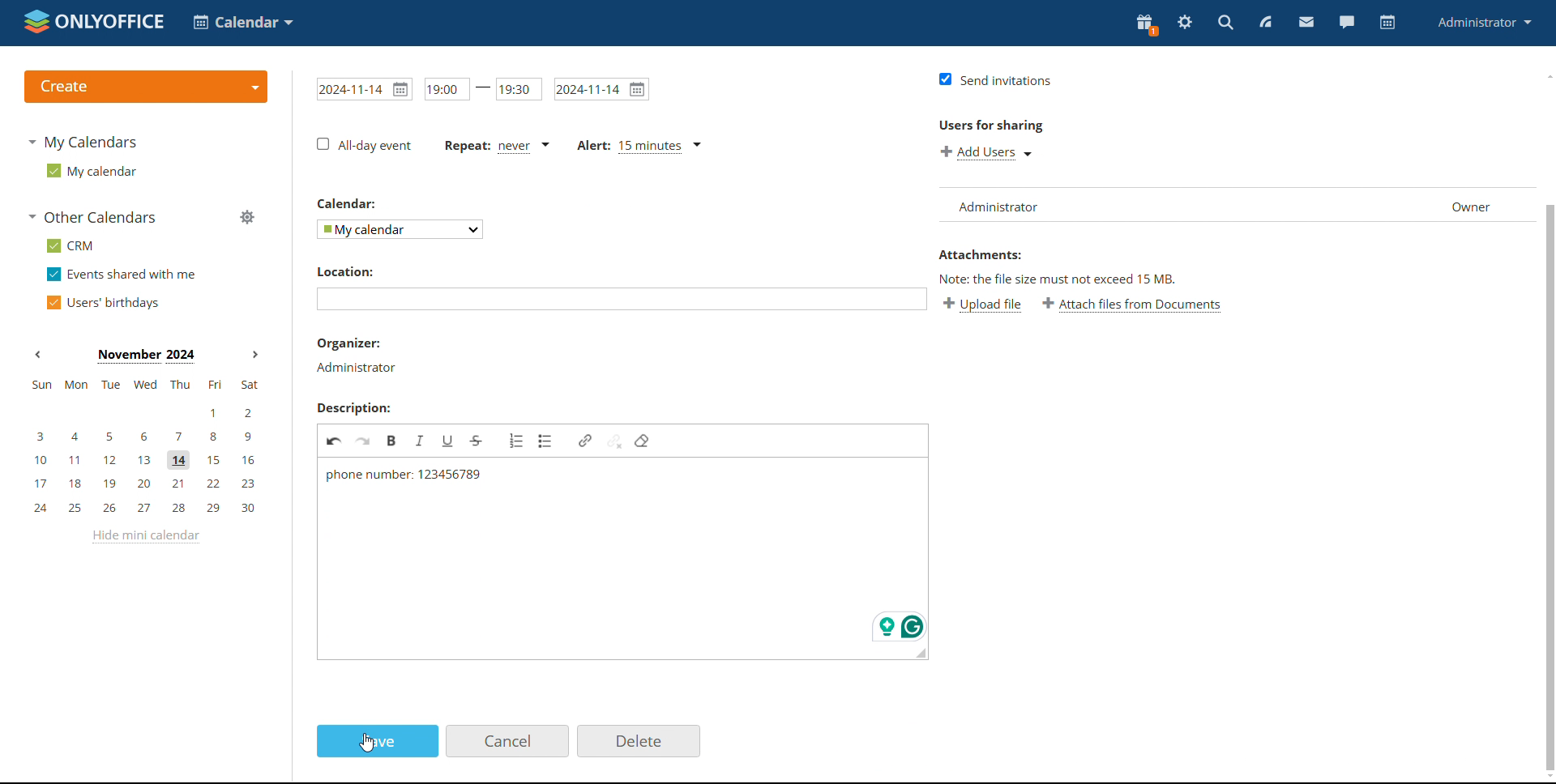 The image size is (1556, 784). What do you see at coordinates (389, 440) in the screenshot?
I see `Bold` at bounding box center [389, 440].